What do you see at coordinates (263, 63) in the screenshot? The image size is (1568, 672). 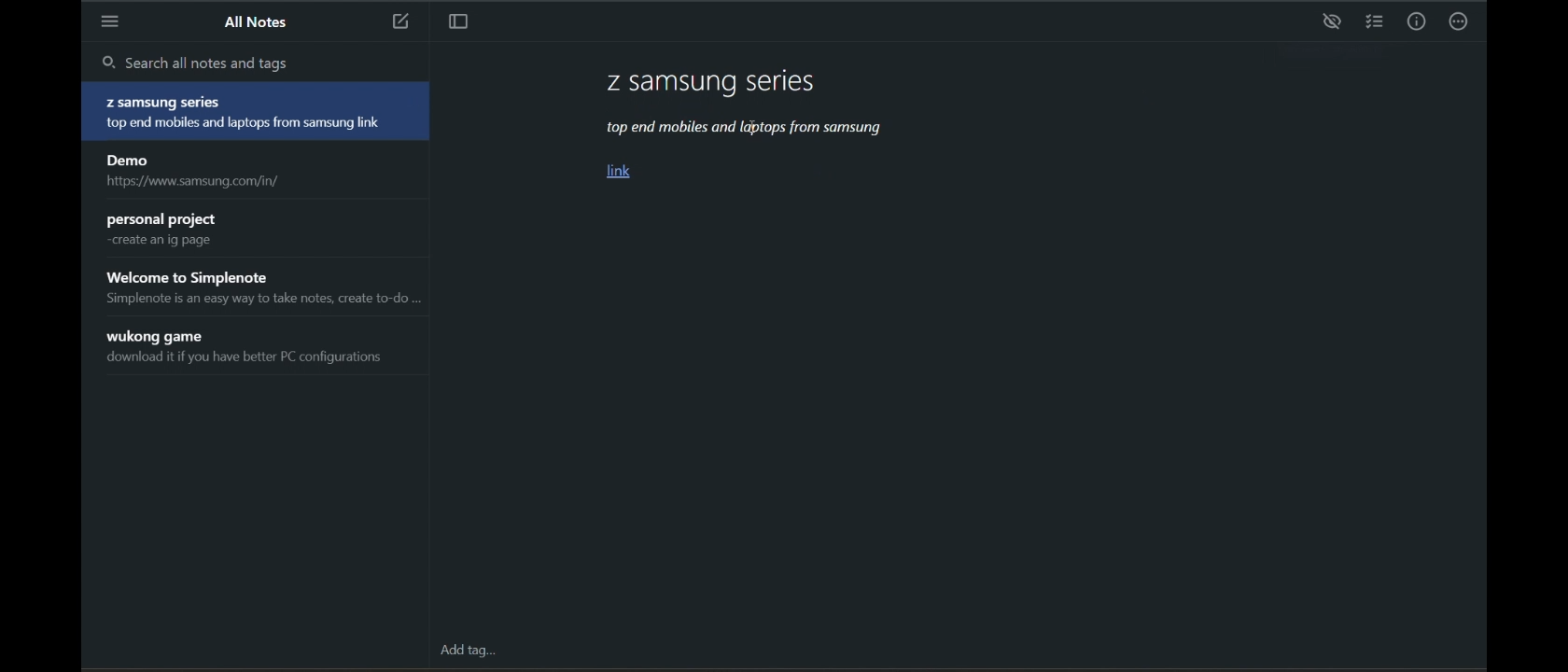 I see `search all notes and tags` at bounding box center [263, 63].